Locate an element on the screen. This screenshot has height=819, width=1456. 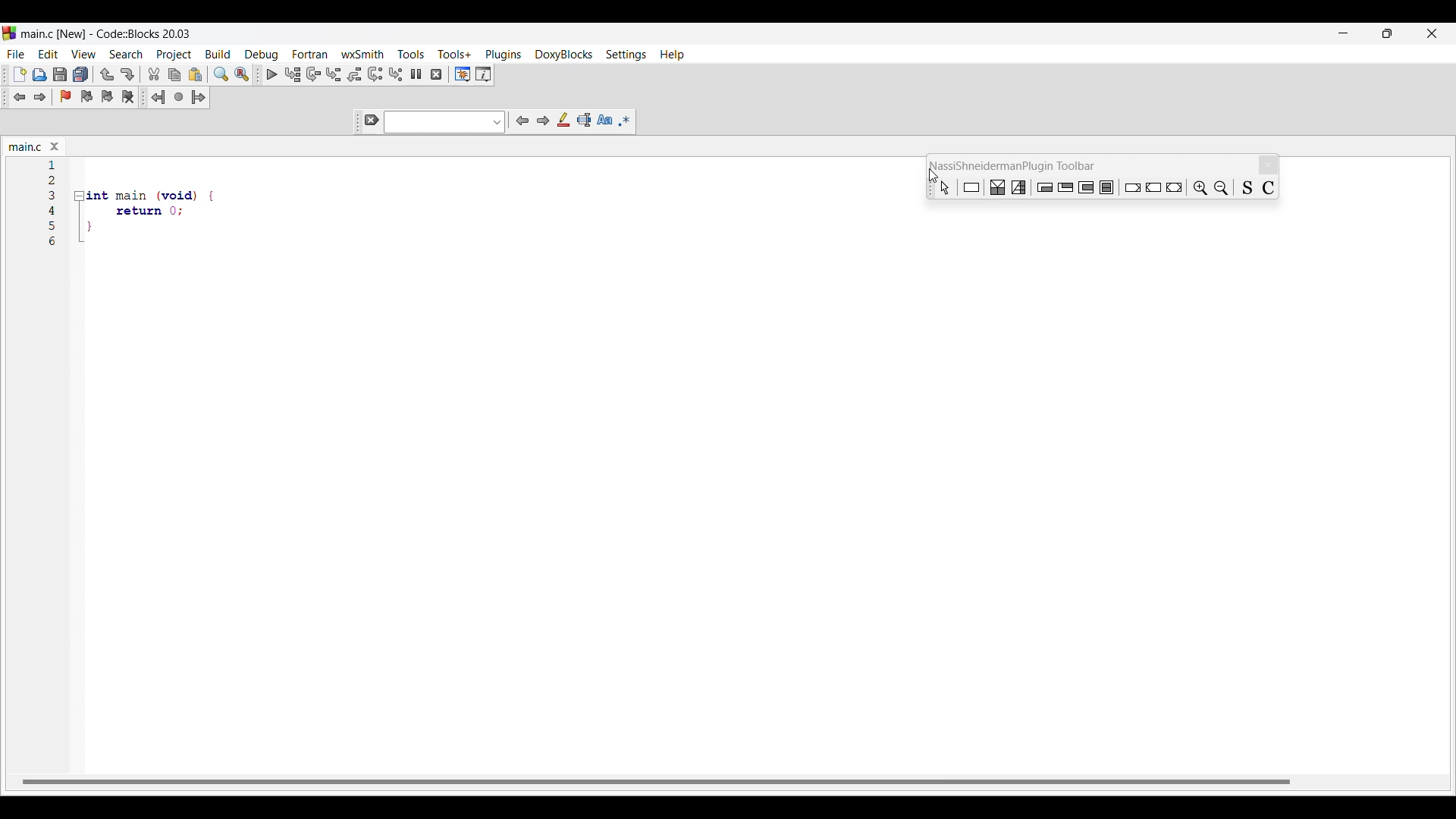
Step into is located at coordinates (334, 74).